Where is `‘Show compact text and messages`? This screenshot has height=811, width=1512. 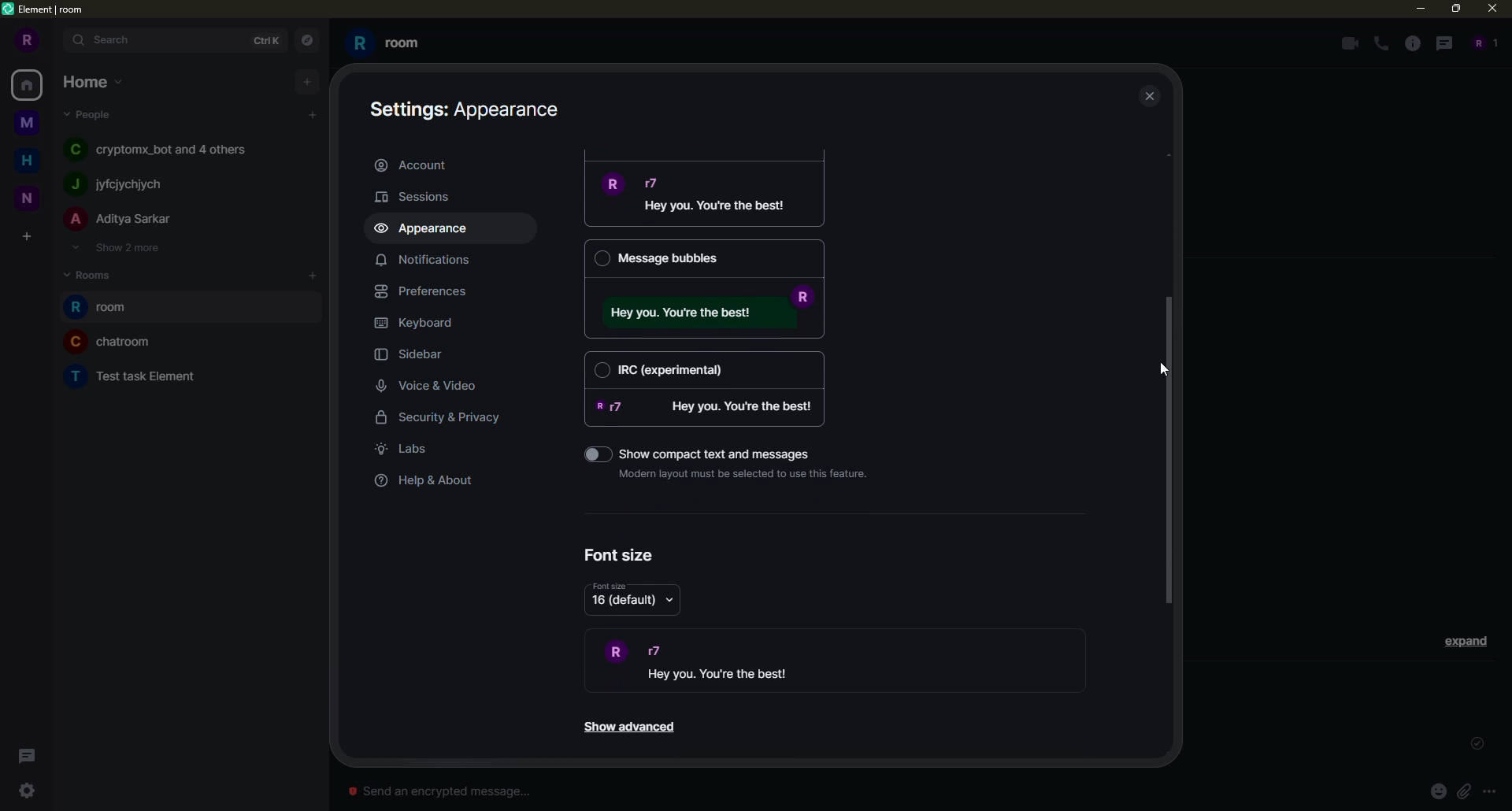
‘Show compact text and messages is located at coordinates (724, 448).